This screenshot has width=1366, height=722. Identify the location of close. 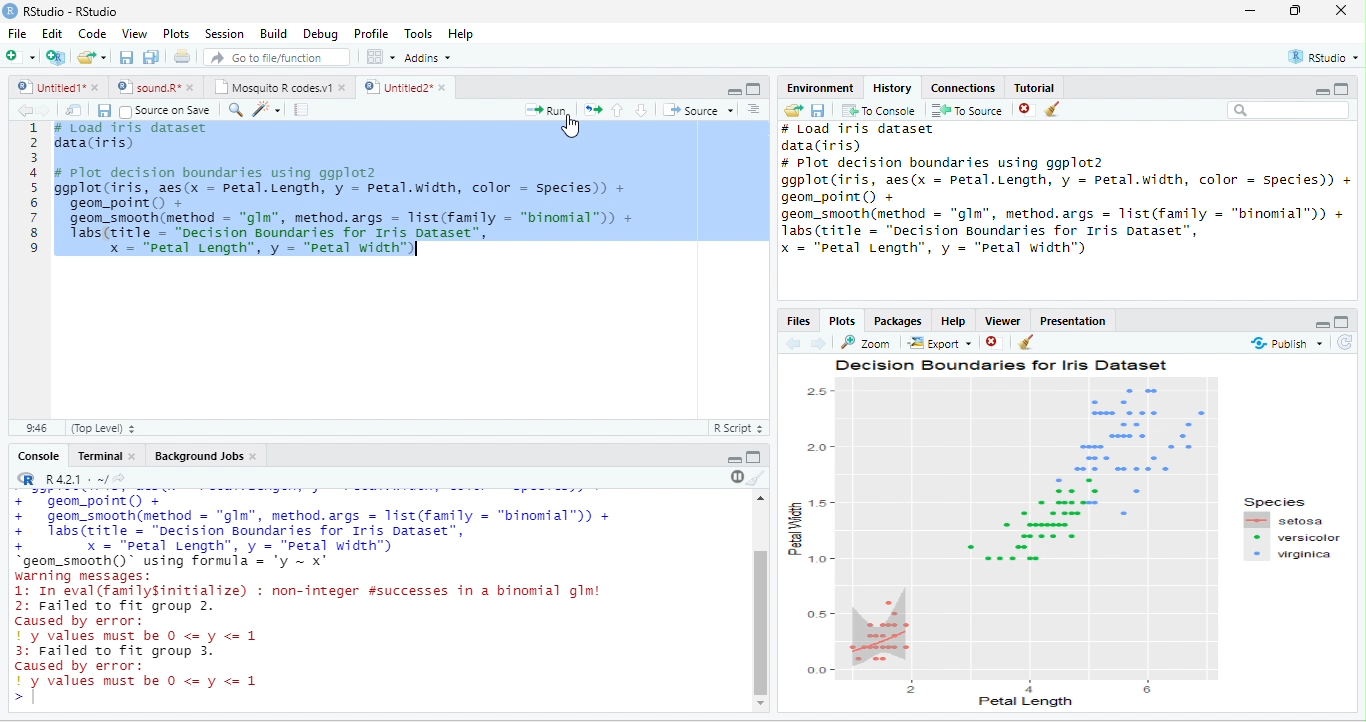
(445, 87).